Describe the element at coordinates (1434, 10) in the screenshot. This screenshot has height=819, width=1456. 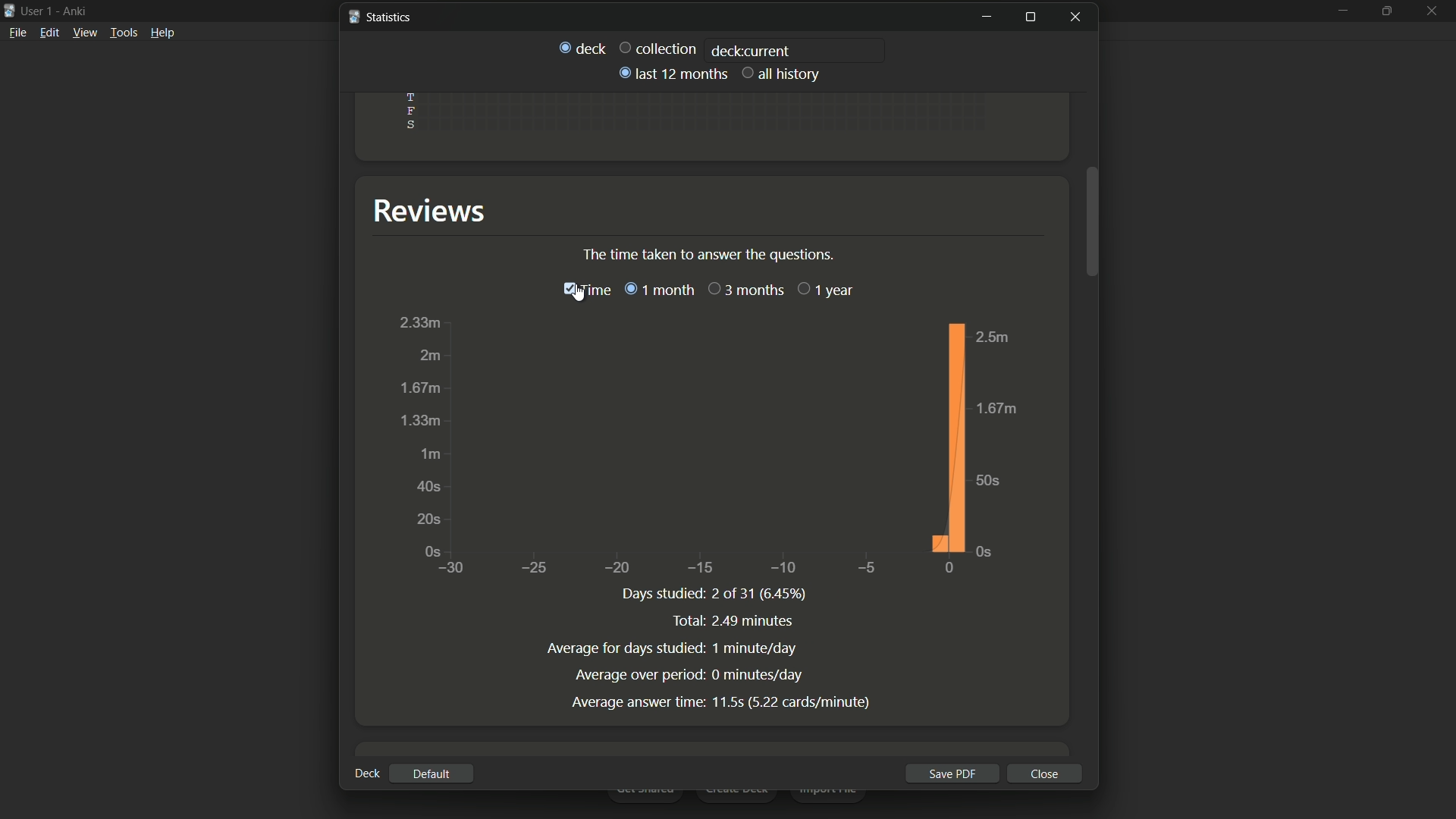
I see `close app` at that location.